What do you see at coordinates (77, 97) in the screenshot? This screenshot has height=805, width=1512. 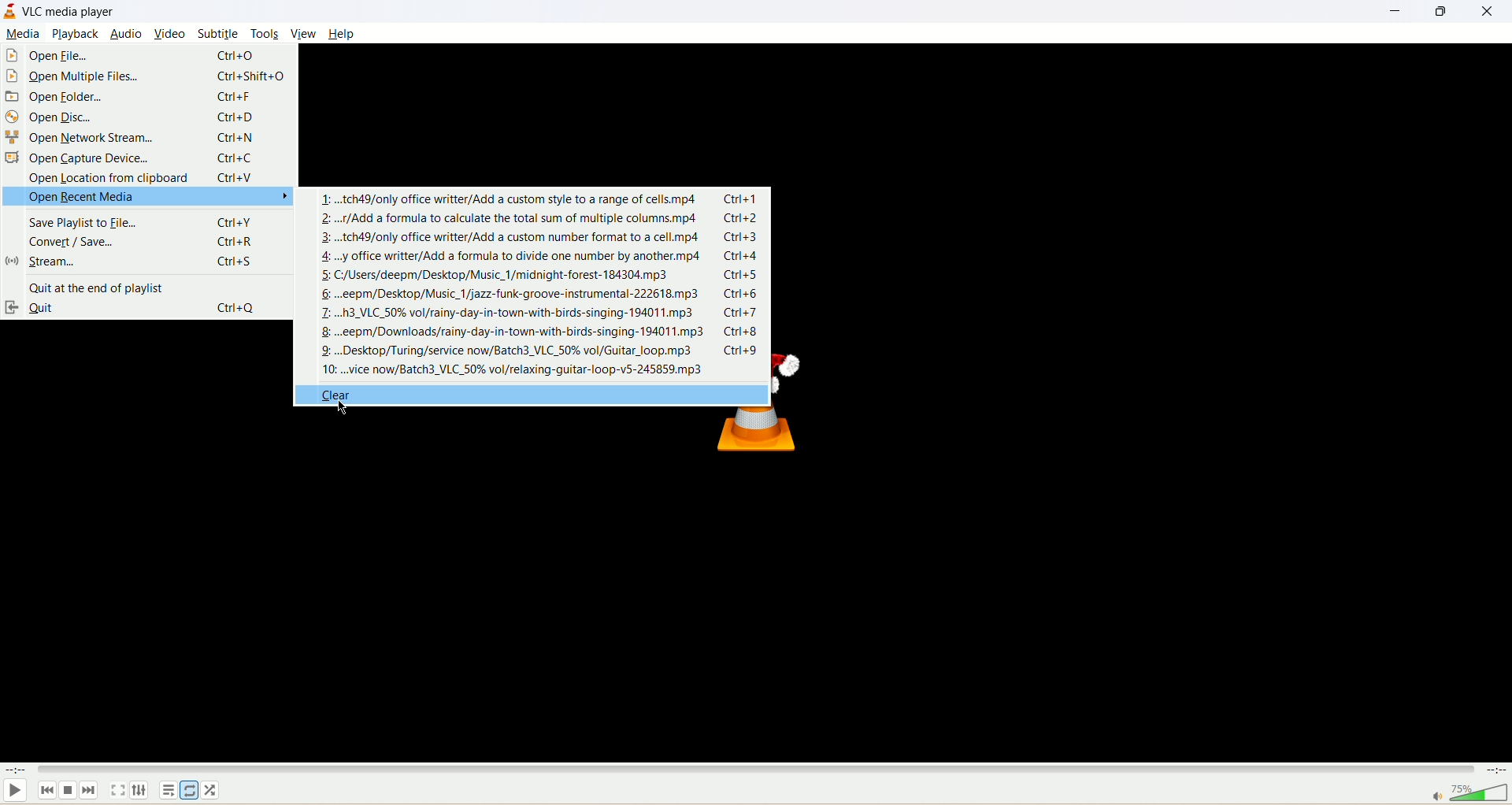 I see `open folder...` at bounding box center [77, 97].